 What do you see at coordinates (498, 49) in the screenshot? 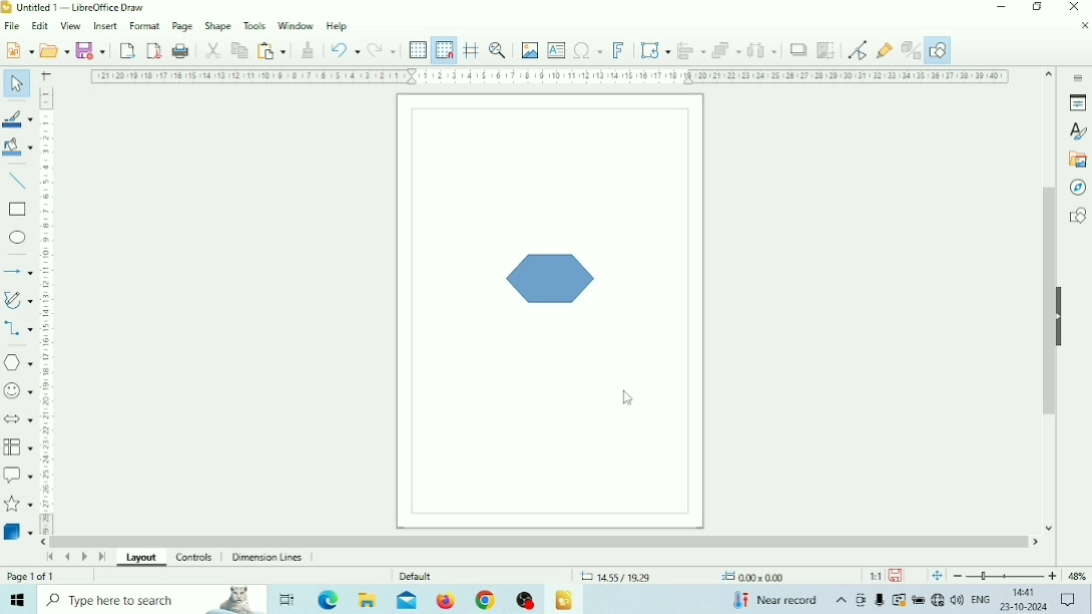
I see `Zoom & Pan` at bounding box center [498, 49].